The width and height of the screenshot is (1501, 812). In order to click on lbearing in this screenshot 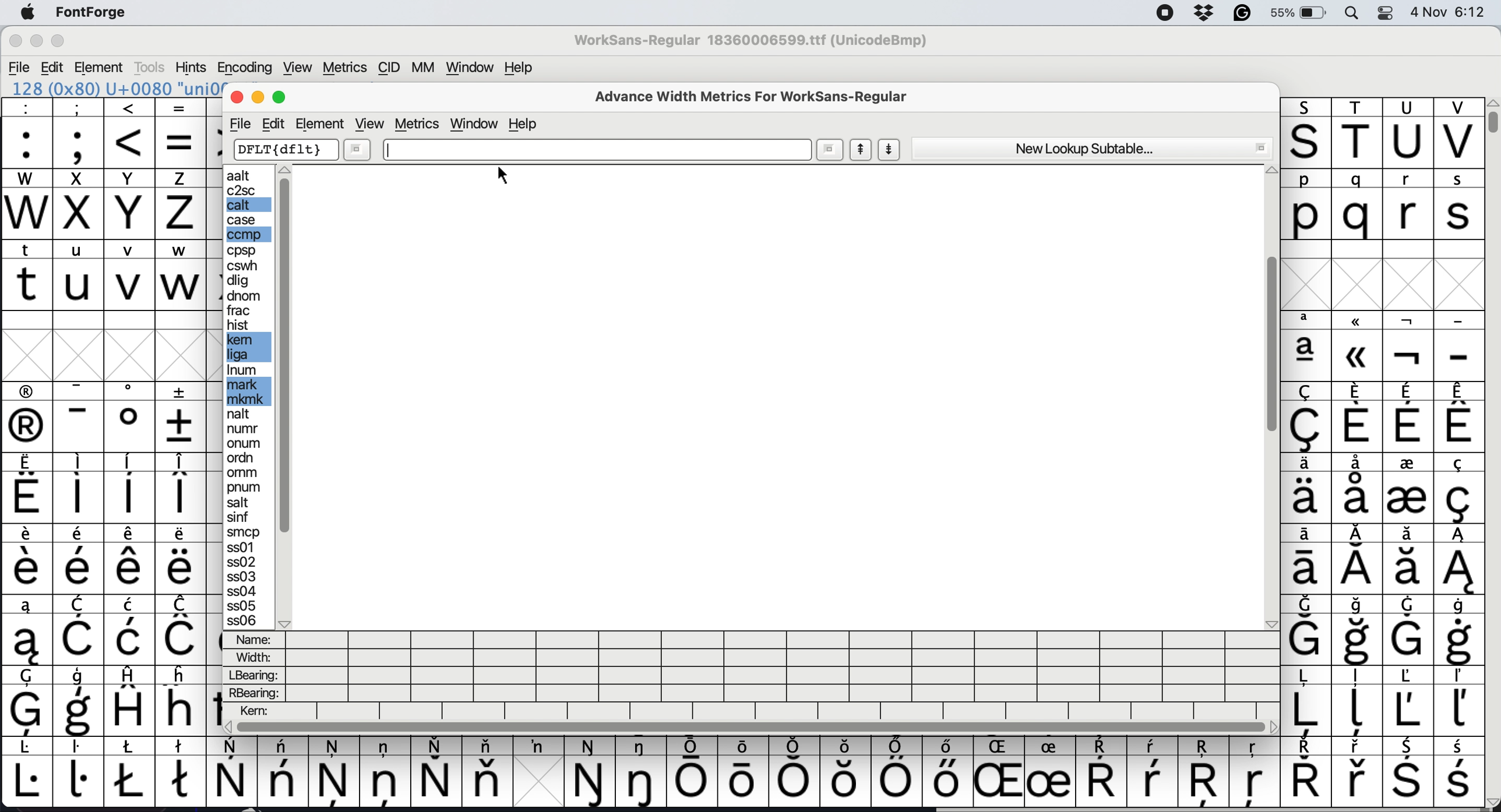, I will do `click(251, 675)`.